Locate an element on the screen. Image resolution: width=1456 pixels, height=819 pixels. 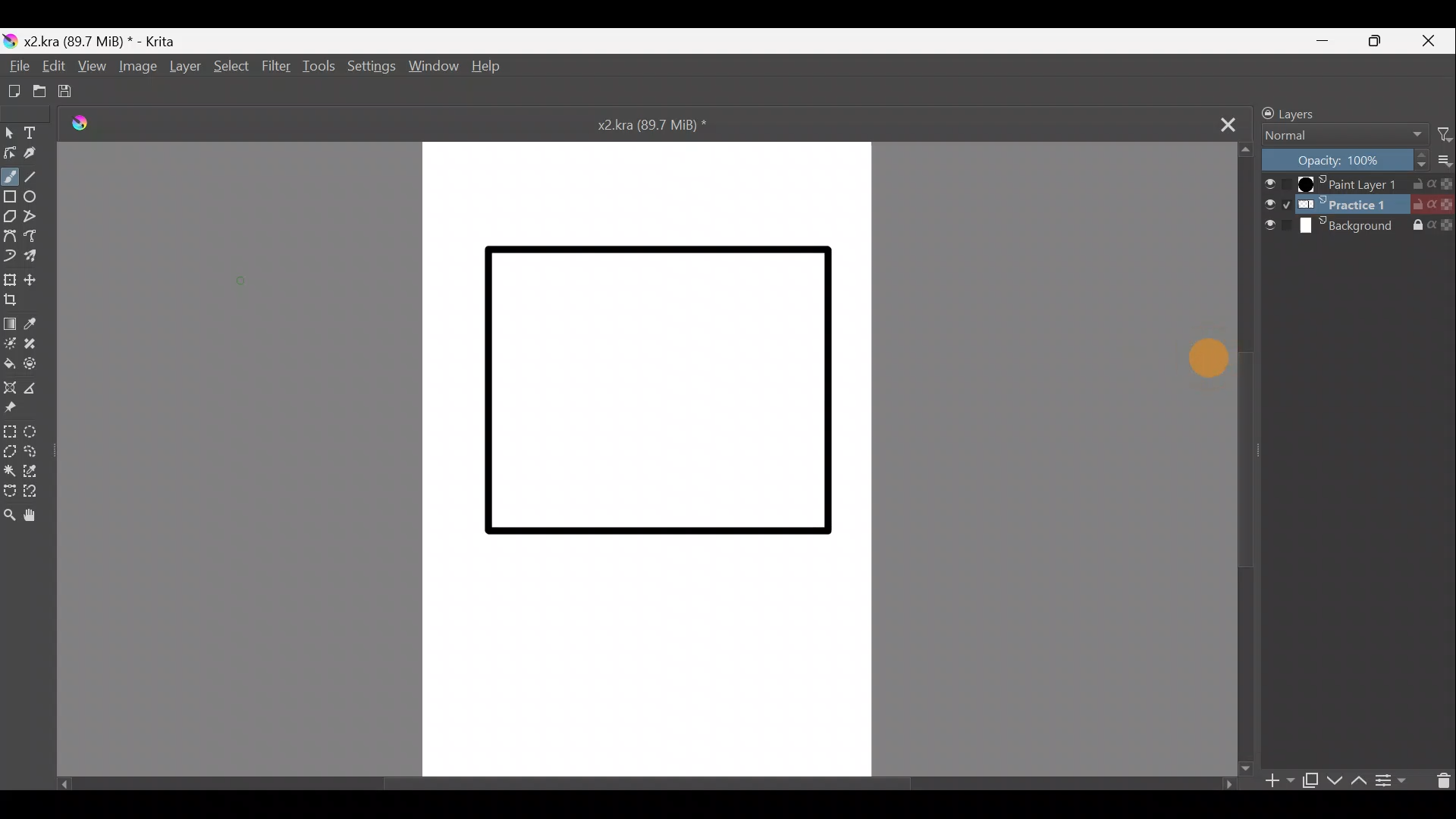
Save is located at coordinates (66, 92).